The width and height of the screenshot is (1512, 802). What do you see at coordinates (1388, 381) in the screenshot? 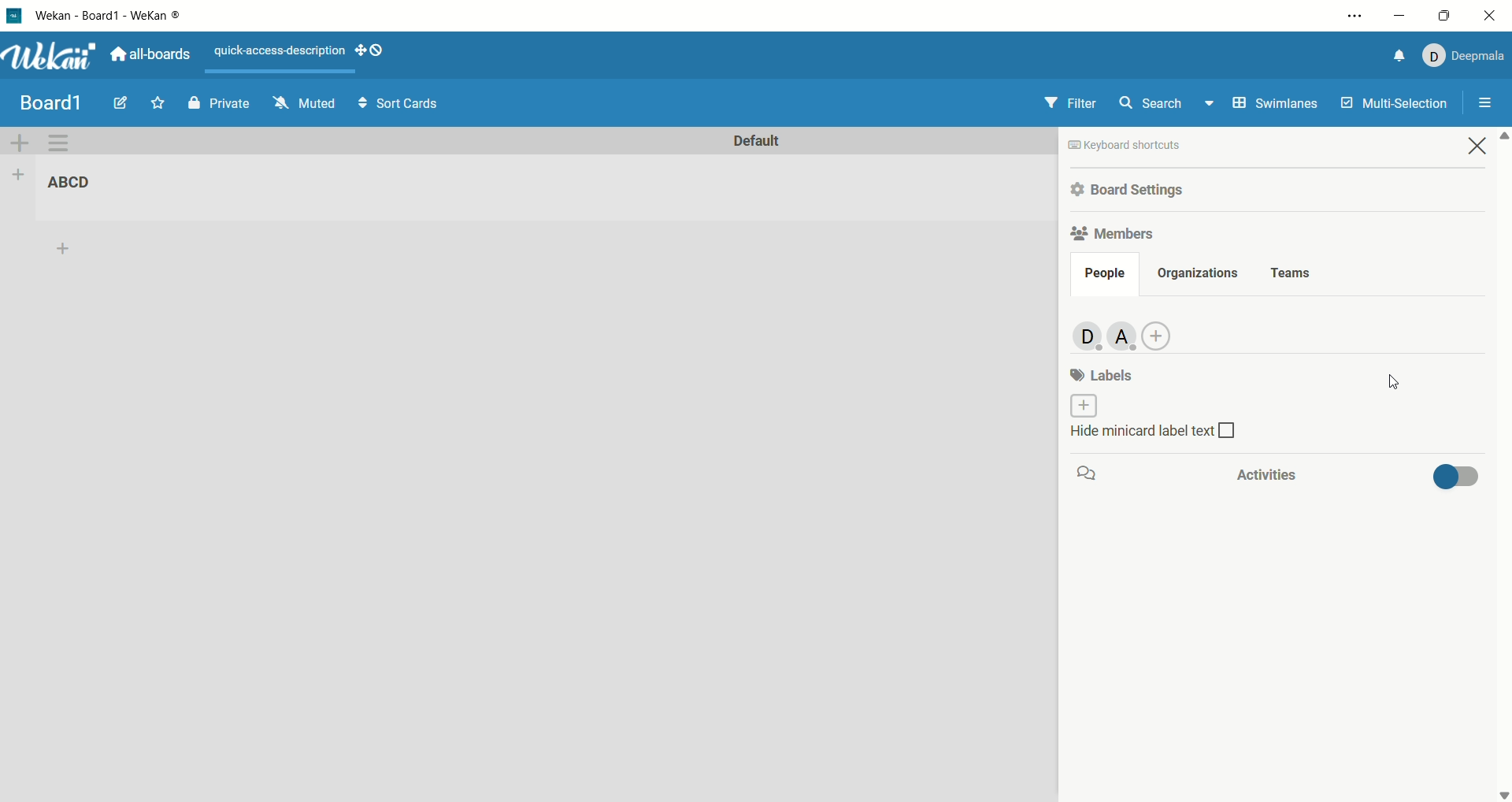
I see `cursor` at bounding box center [1388, 381].